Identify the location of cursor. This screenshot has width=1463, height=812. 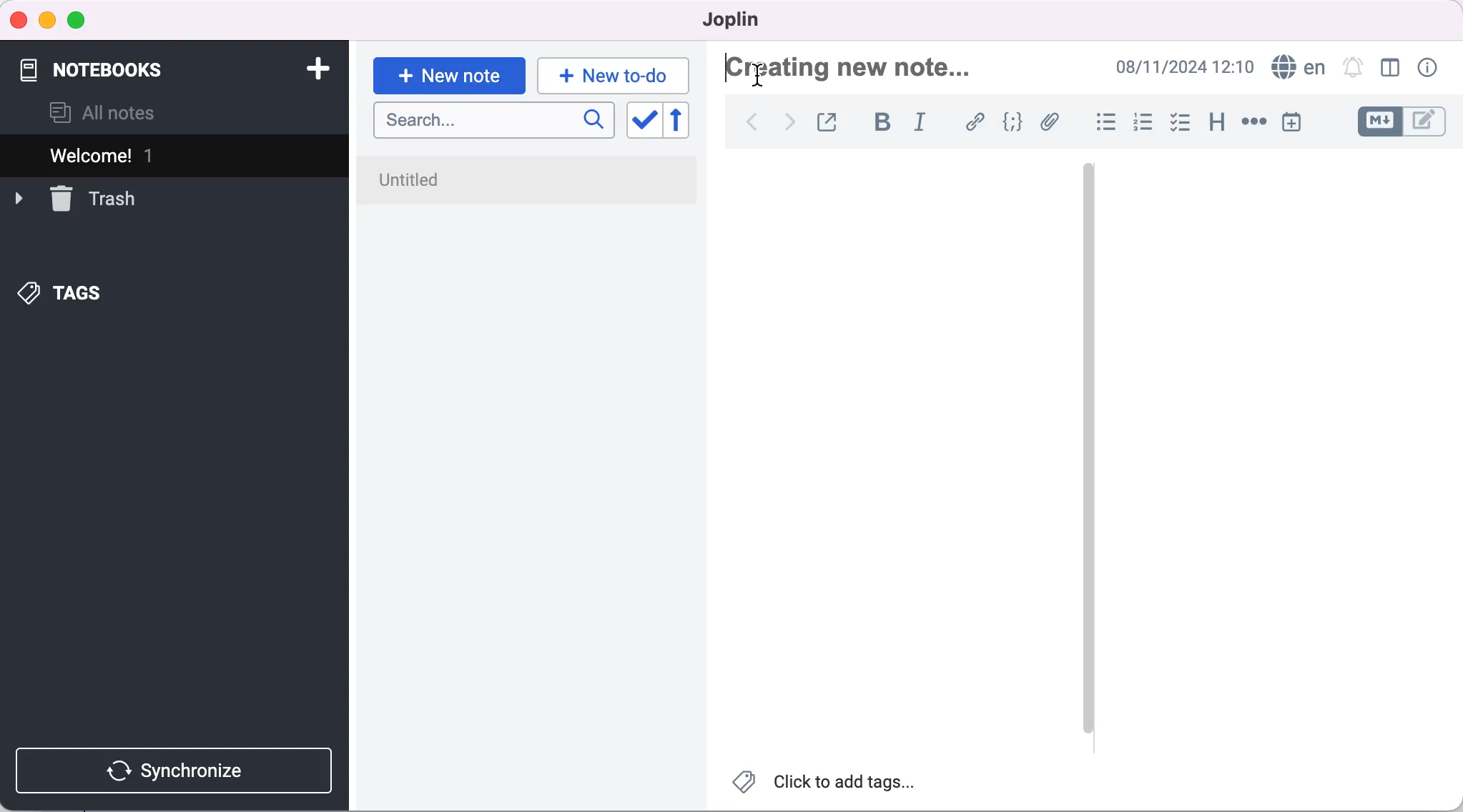
(759, 76).